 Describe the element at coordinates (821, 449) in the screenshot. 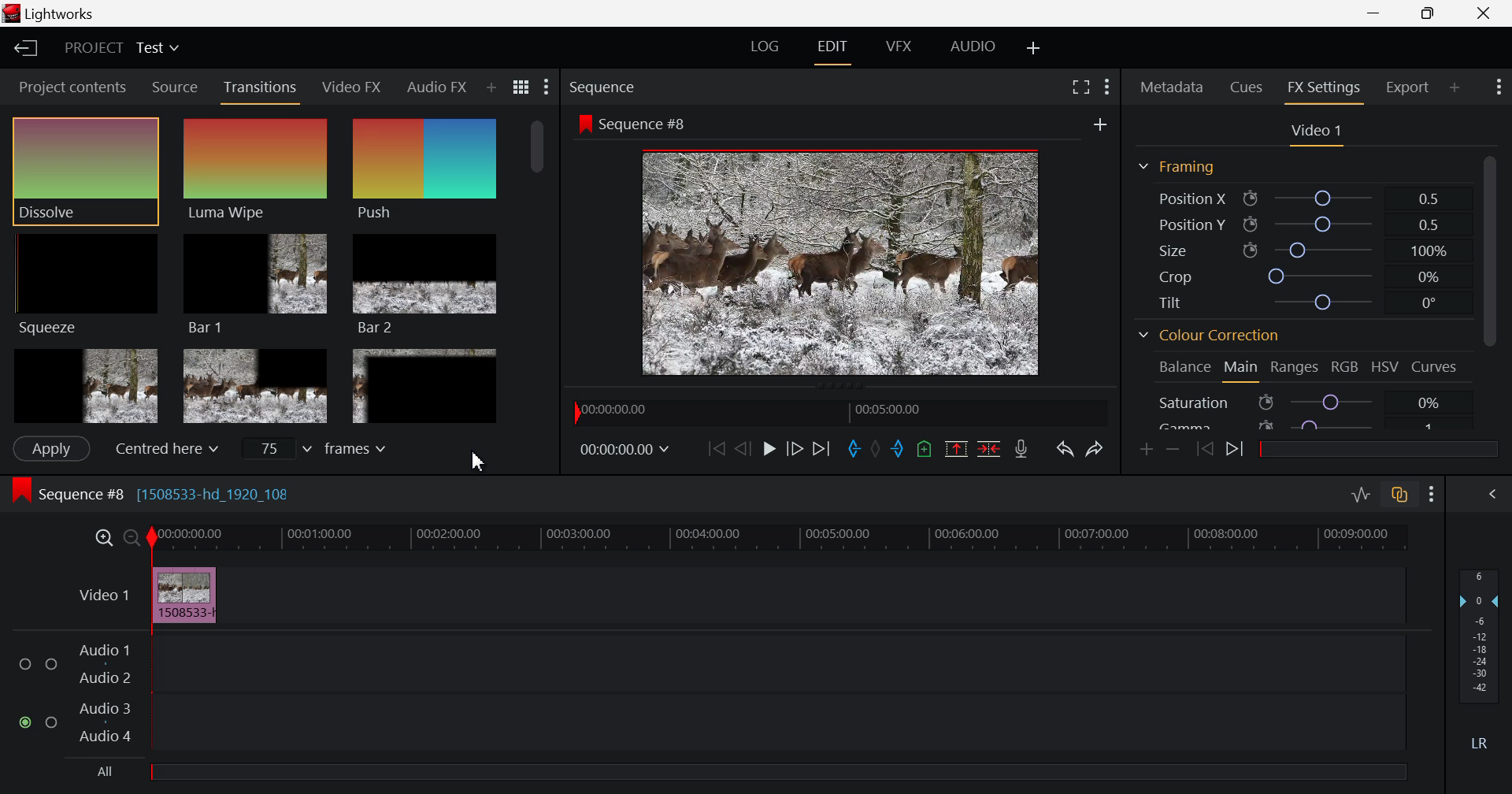

I see `To End` at that location.